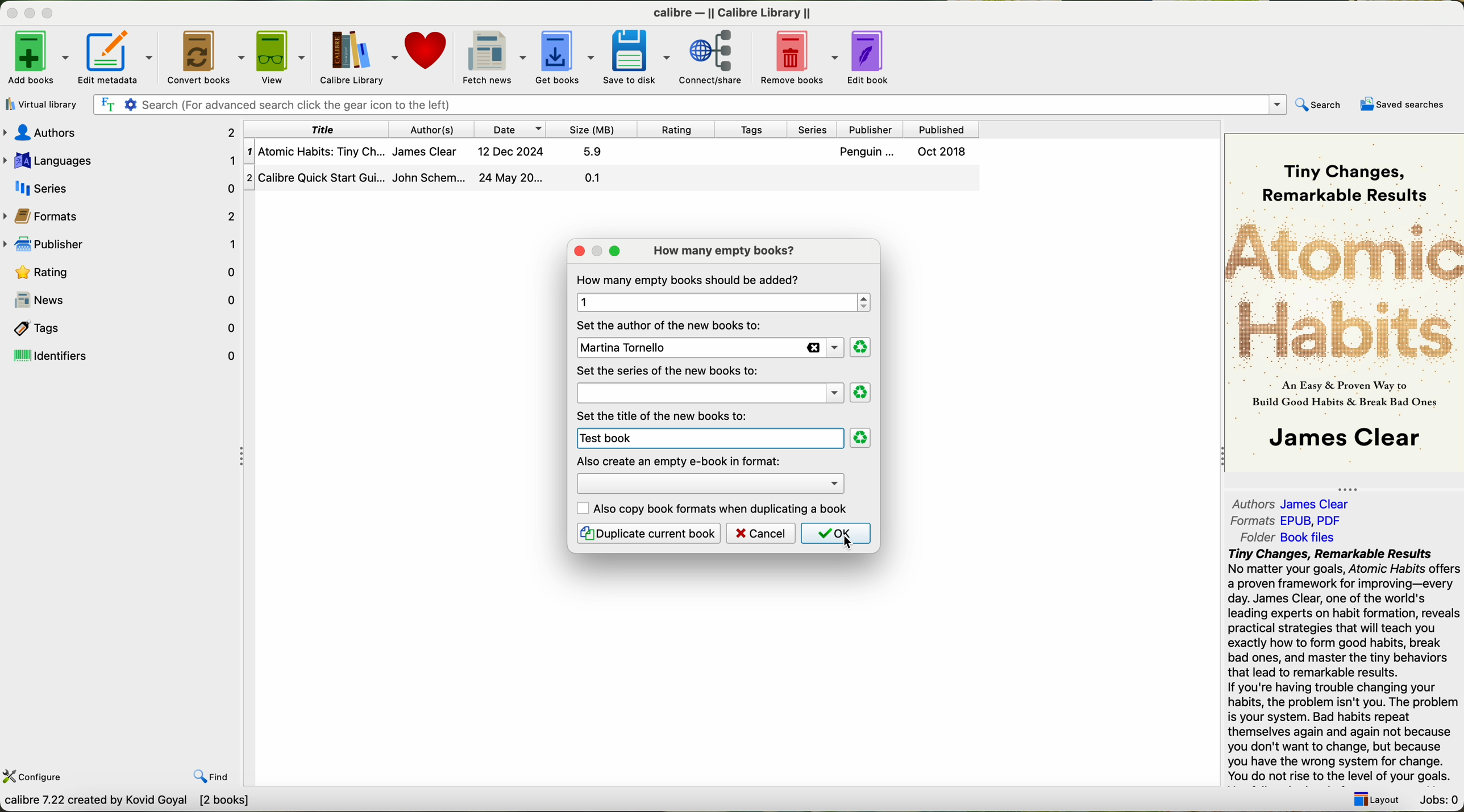  Describe the element at coordinates (714, 509) in the screenshot. I see `also copy book formats when duplicating a book` at that location.